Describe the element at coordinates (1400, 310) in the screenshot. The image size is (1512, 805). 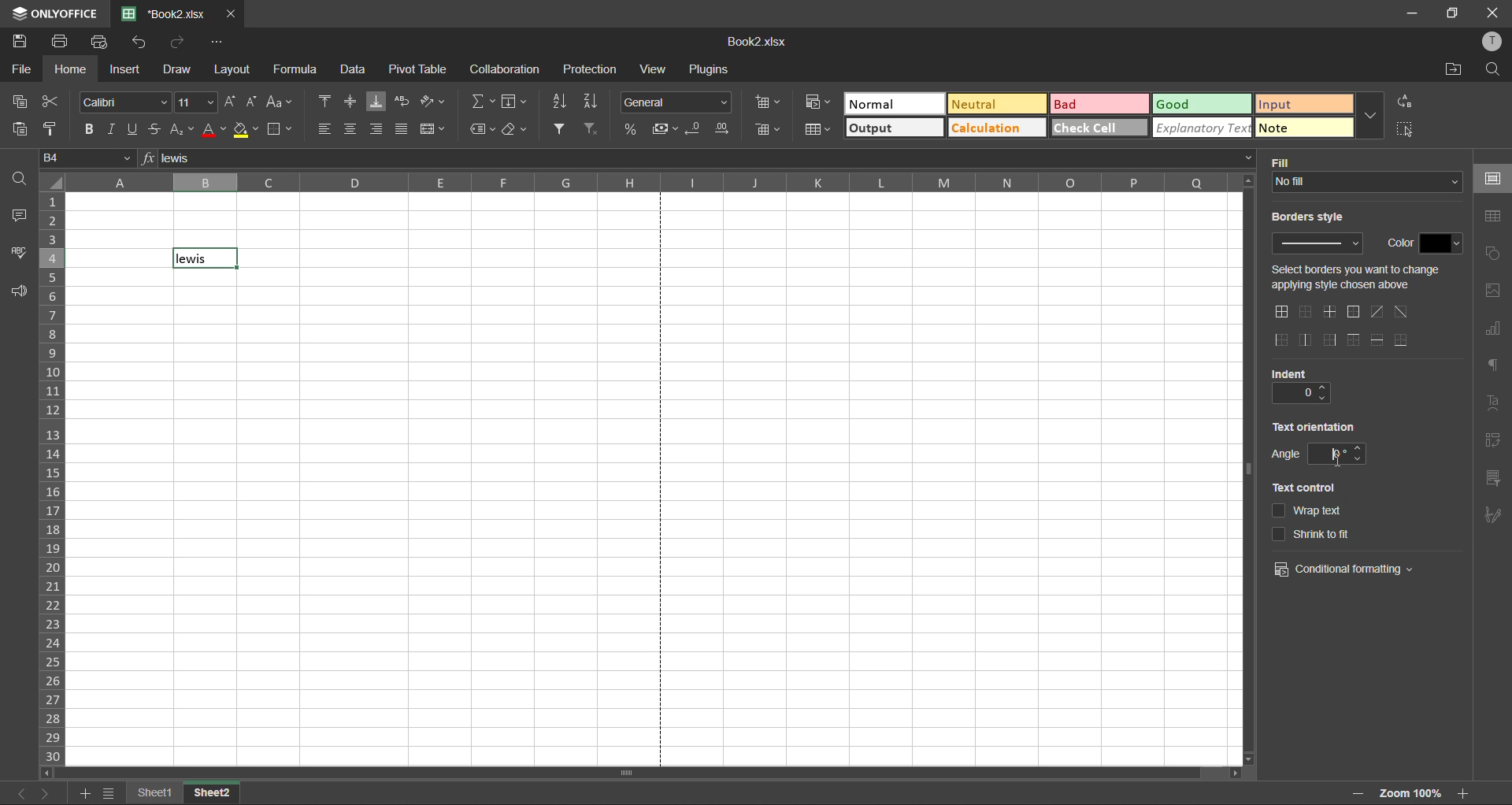
I see `diagonal down border` at that location.